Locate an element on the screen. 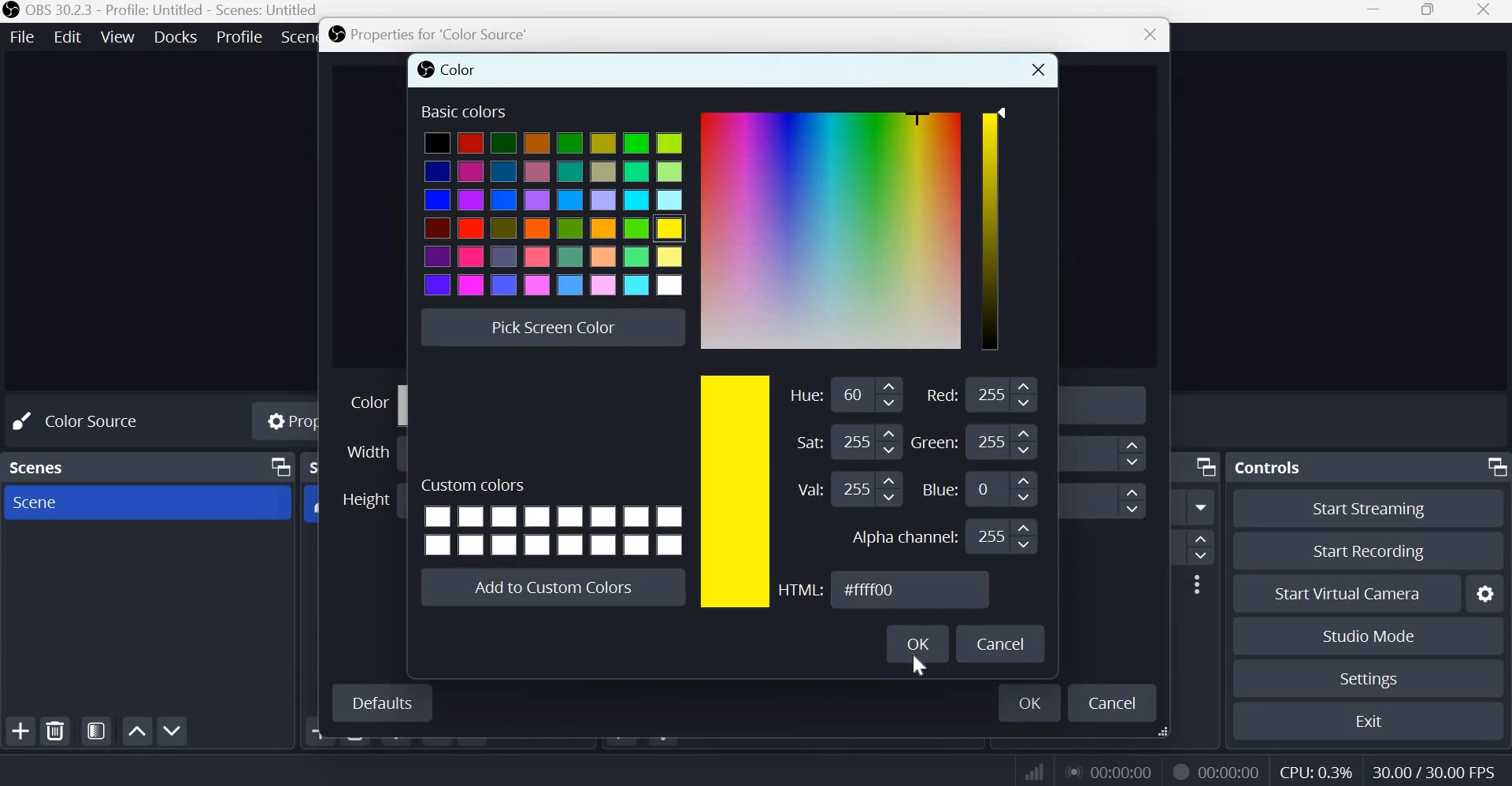 This screenshot has height=786, width=1512. remove selected scene(s) is located at coordinates (58, 731).